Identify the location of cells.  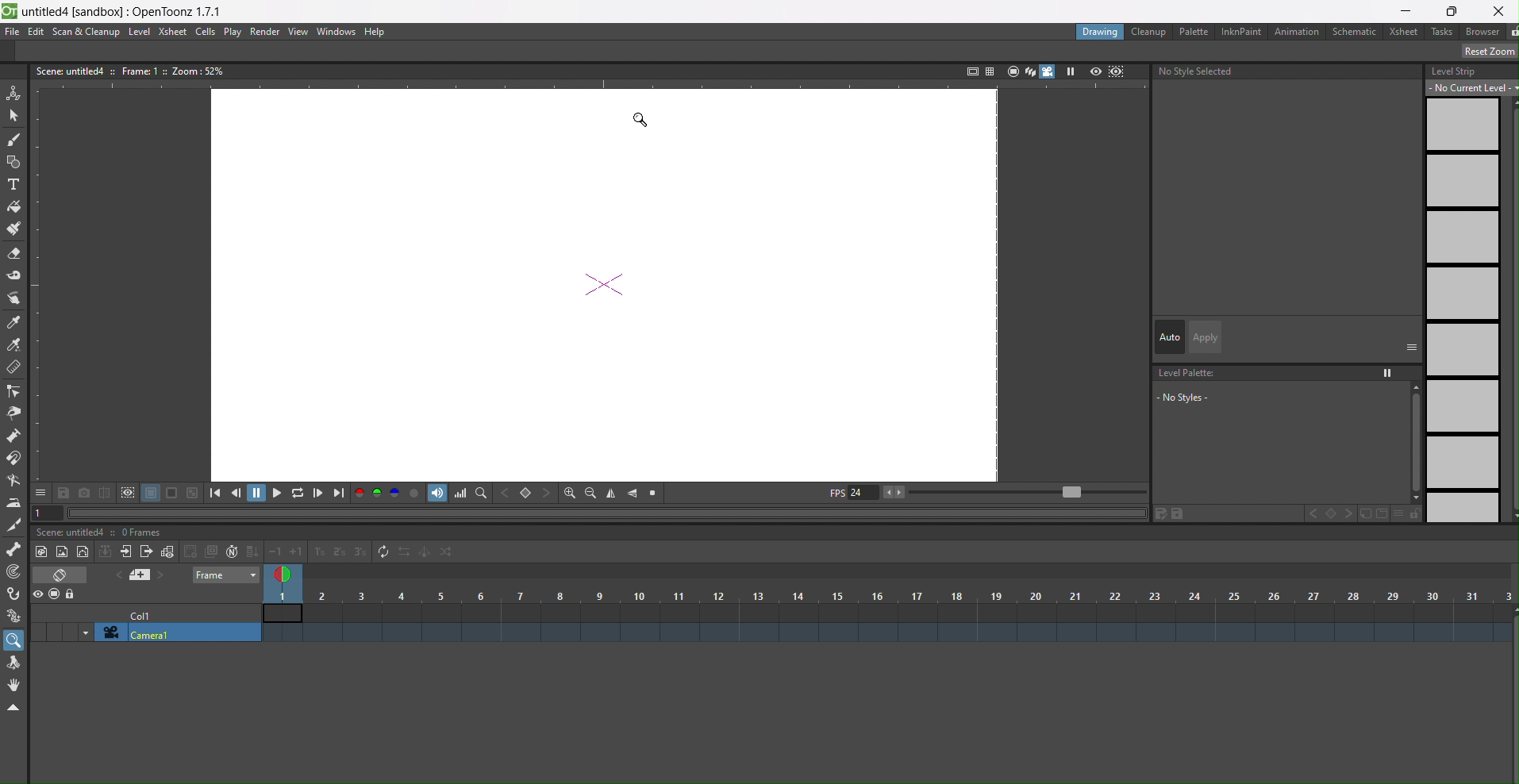
(208, 32).